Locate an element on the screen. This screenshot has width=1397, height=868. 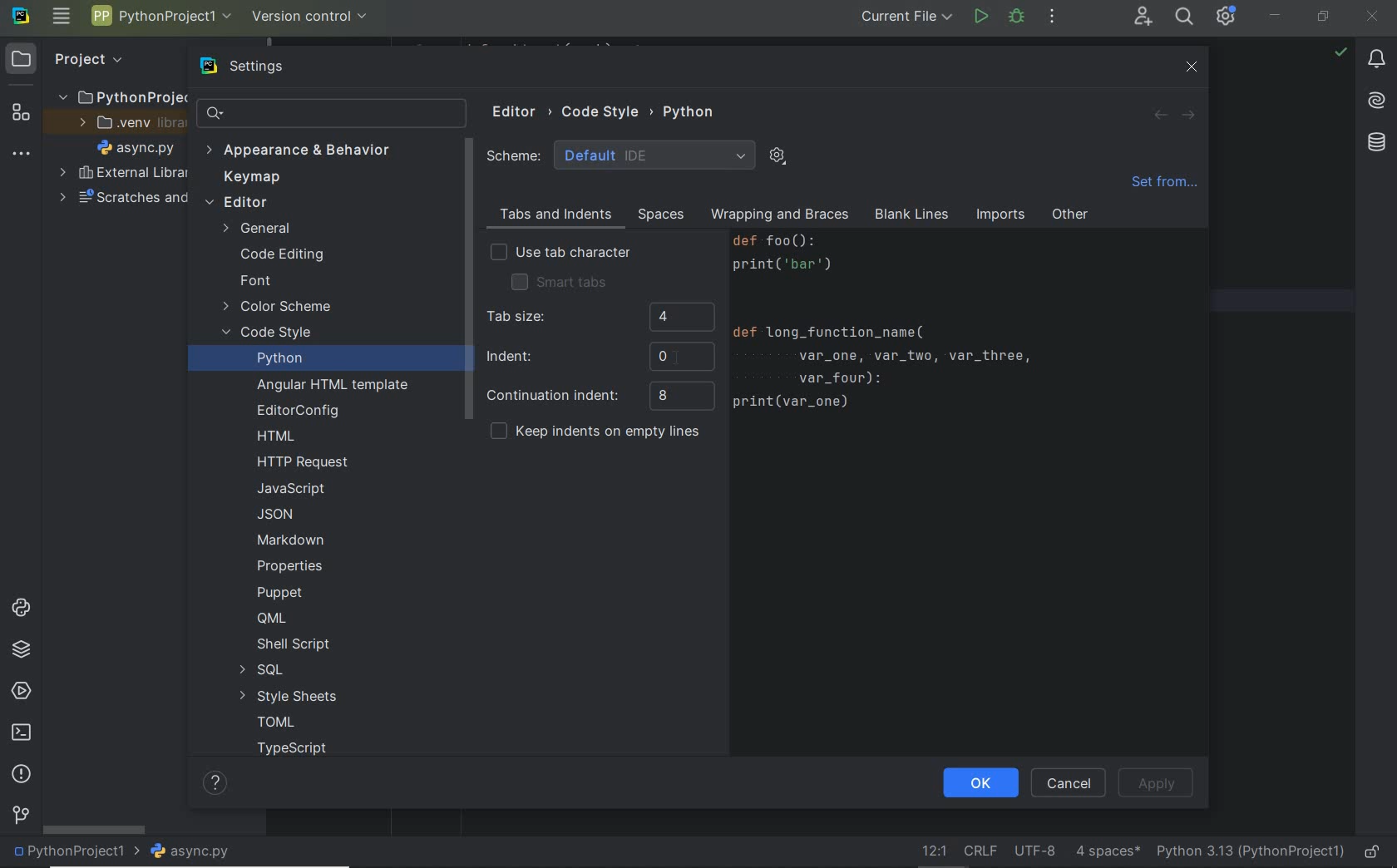
problems is located at coordinates (20, 775).